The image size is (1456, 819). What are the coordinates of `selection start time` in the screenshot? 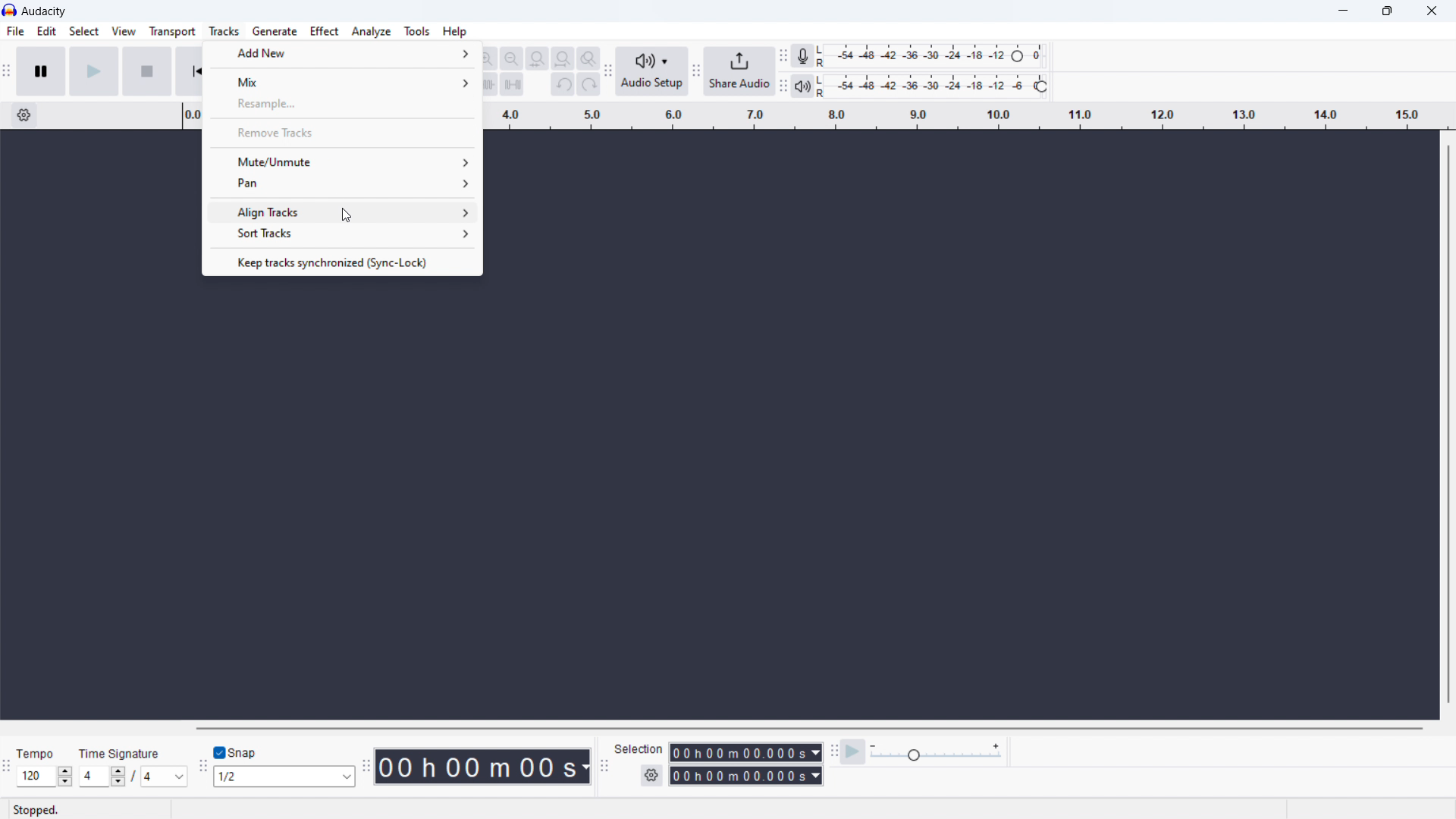 It's located at (746, 752).